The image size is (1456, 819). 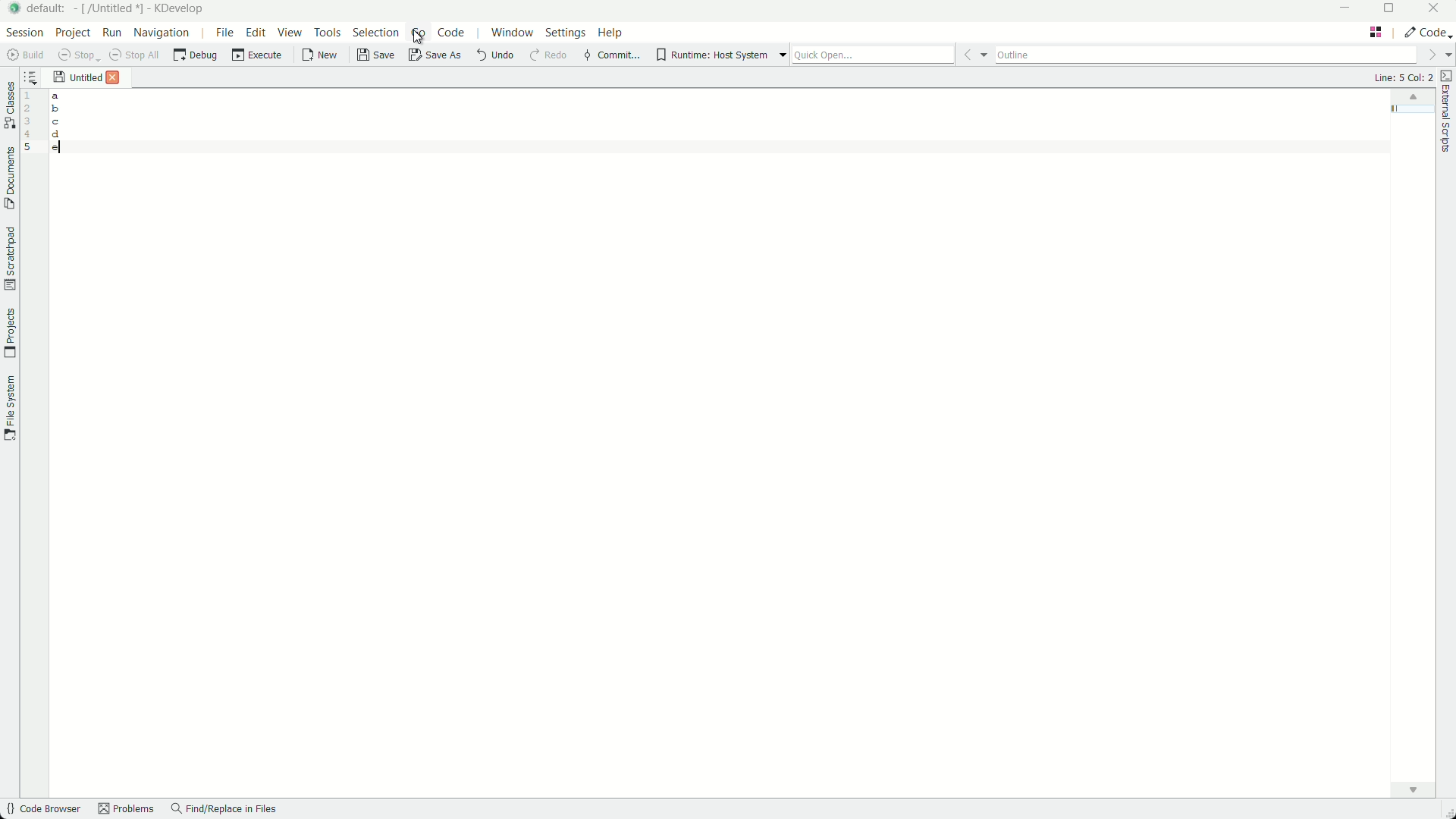 I want to click on scratchpad, so click(x=9, y=259).